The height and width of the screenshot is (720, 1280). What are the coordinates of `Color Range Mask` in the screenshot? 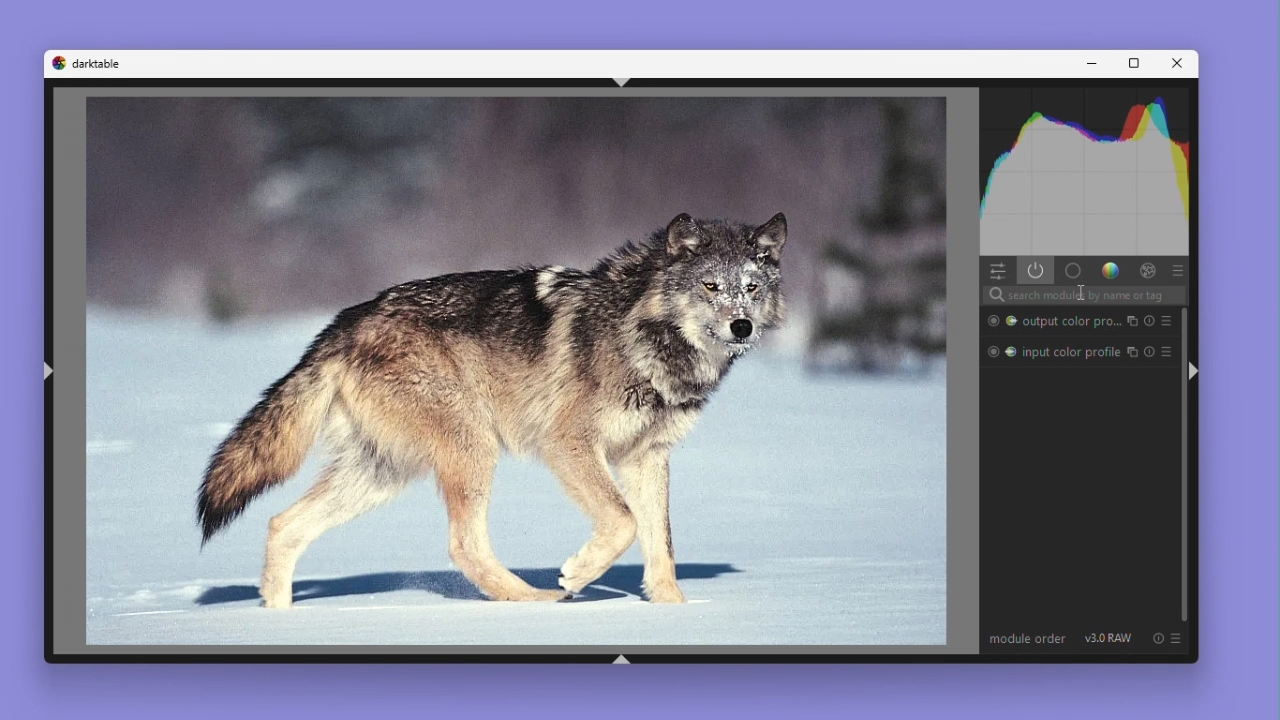 It's located at (1011, 352).